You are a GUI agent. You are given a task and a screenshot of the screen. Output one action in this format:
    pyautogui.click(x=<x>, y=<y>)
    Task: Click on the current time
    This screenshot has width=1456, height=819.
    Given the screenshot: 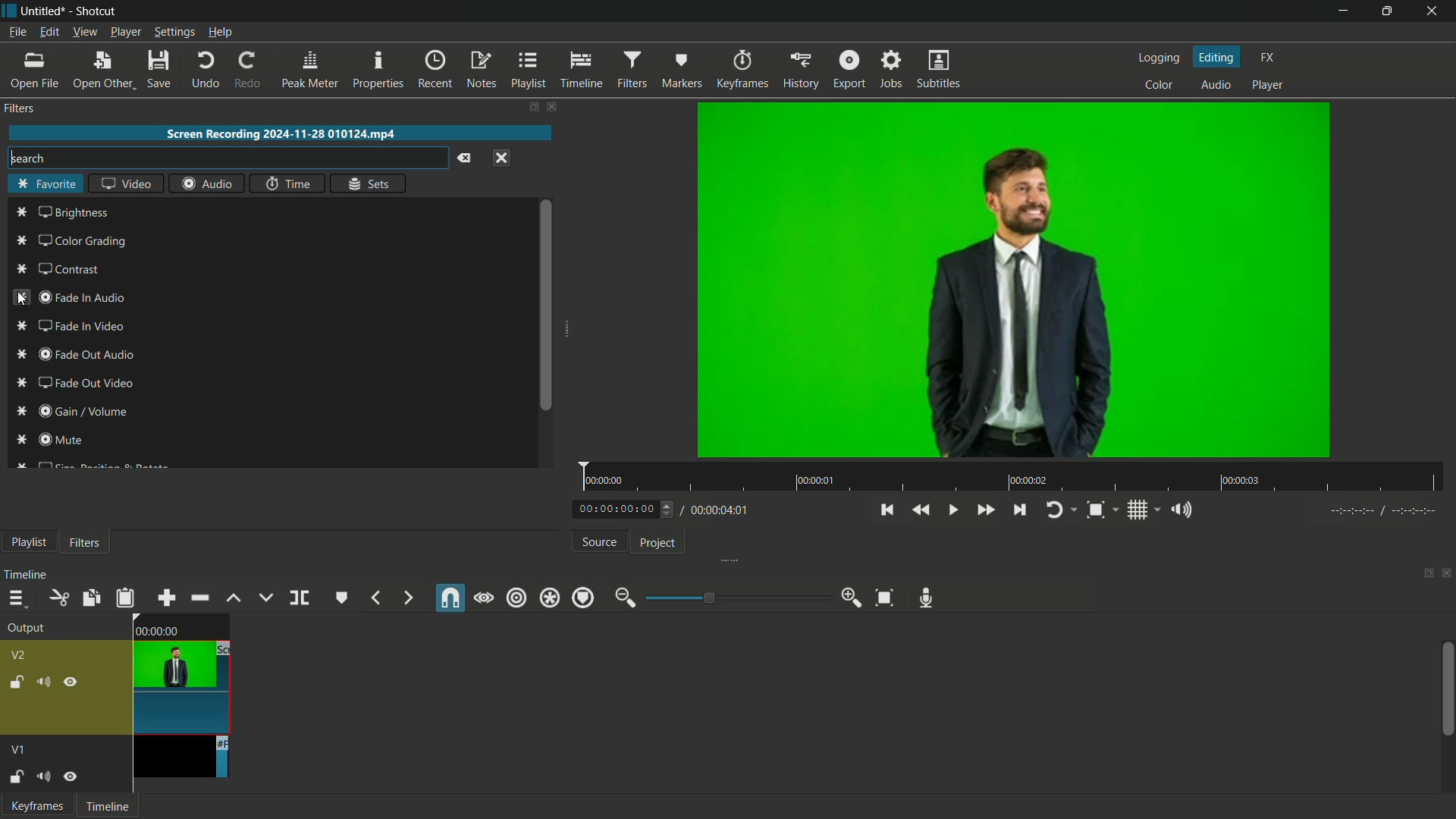 What is the action you would take?
    pyautogui.click(x=616, y=508)
    